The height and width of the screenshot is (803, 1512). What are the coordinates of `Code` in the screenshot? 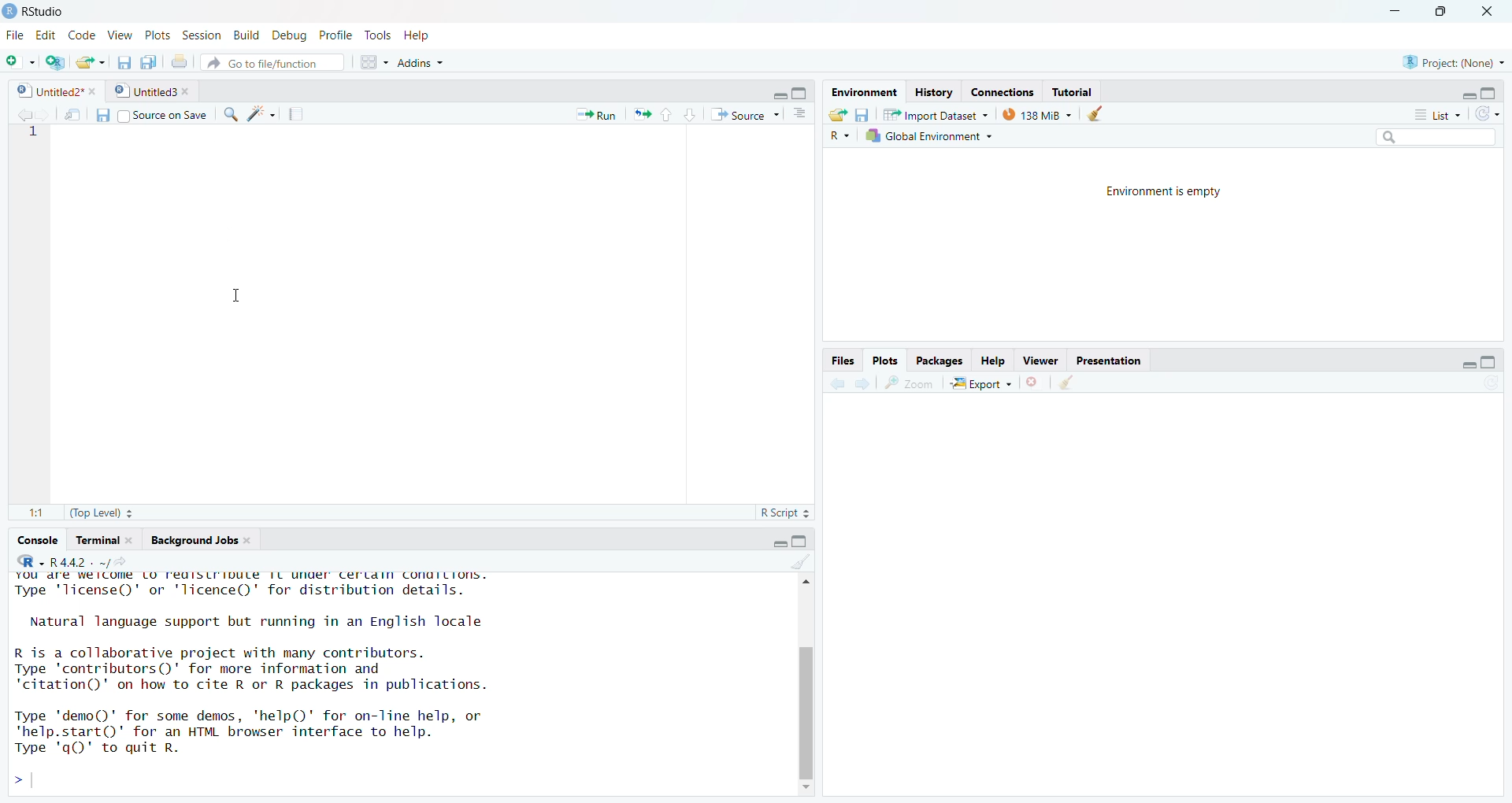 It's located at (81, 35).